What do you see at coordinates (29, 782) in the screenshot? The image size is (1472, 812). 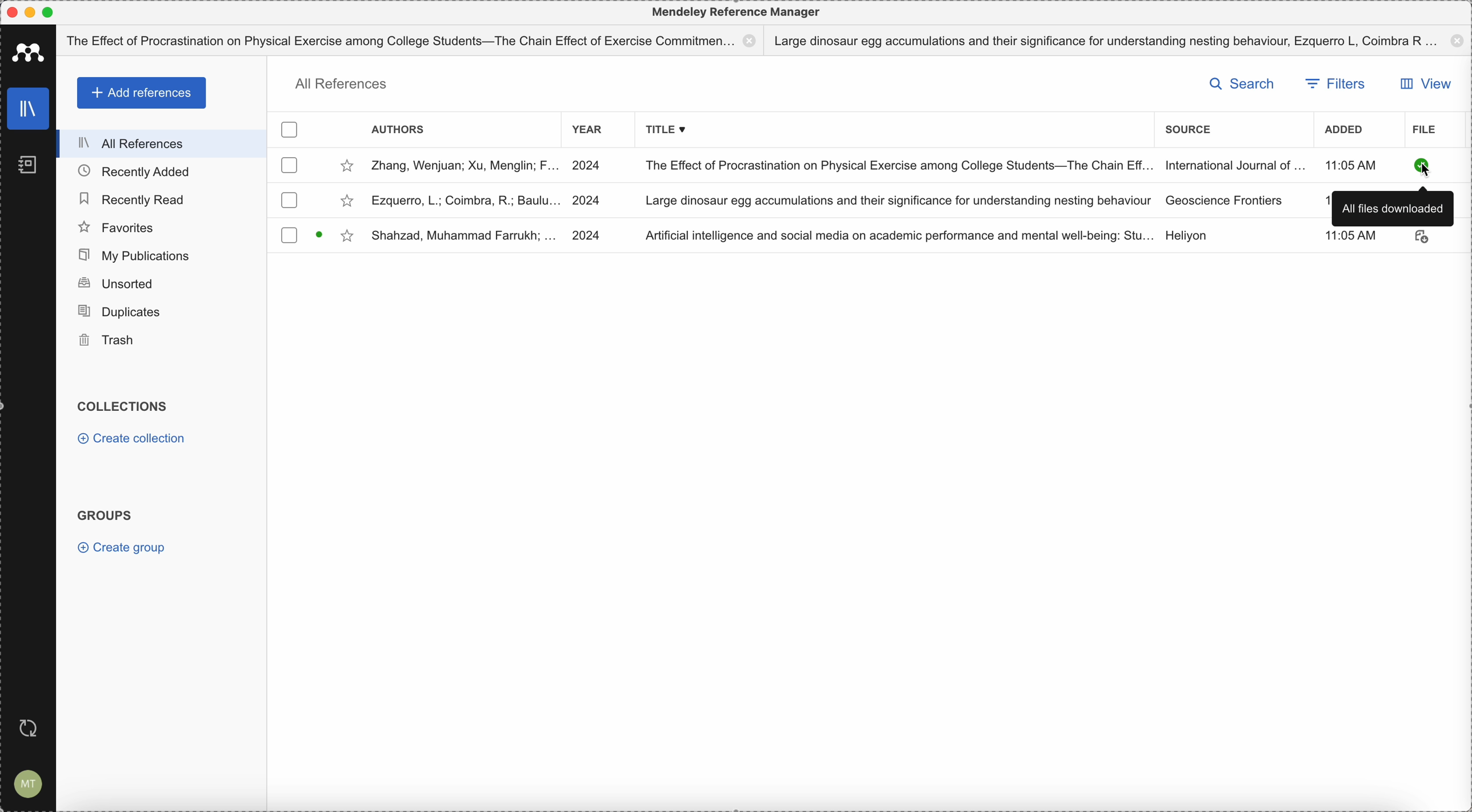 I see `account settings` at bounding box center [29, 782].